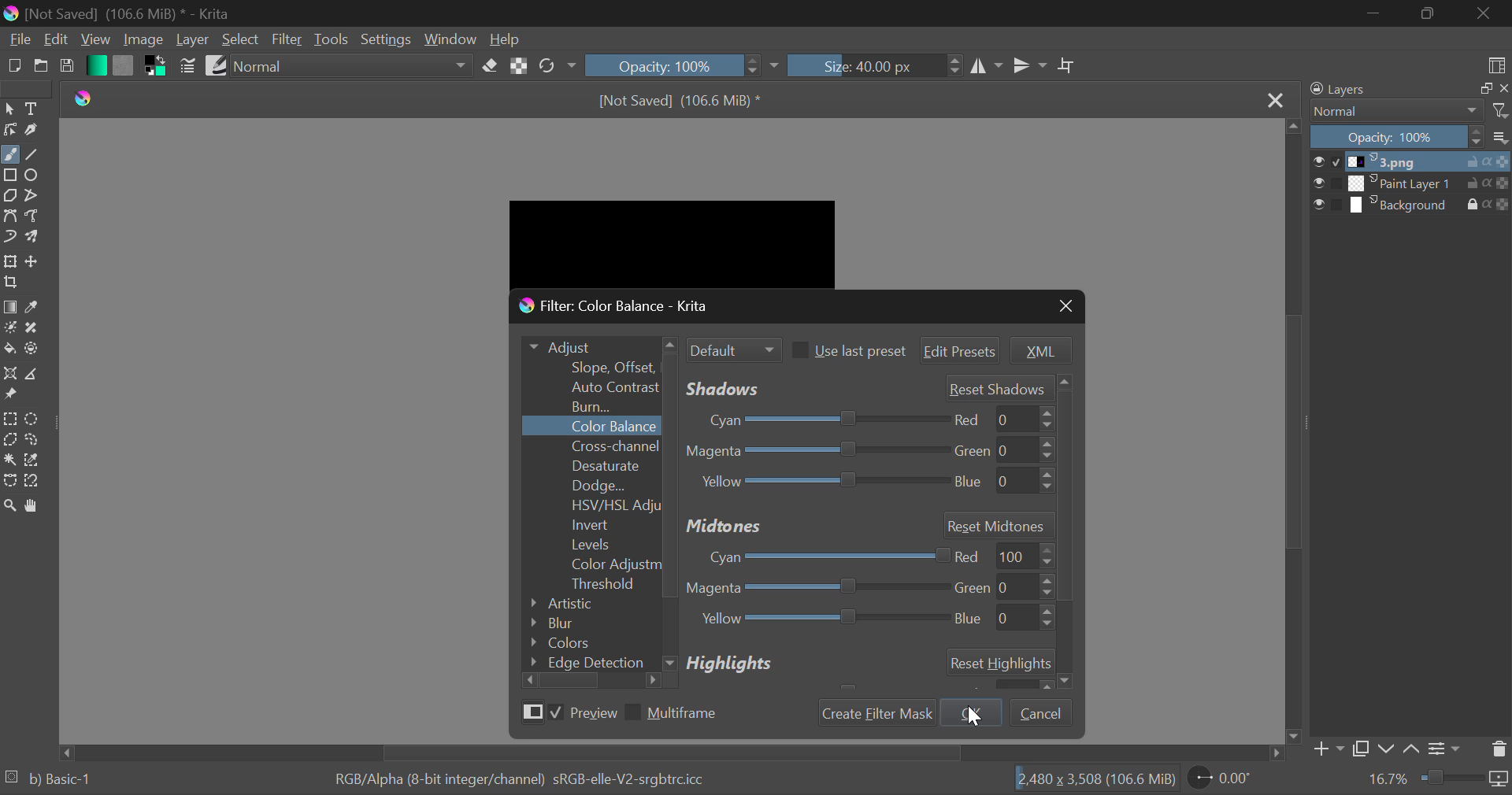 This screenshot has height=795, width=1512. What do you see at coordinates (1411, 183) in the screenshot?
I see `Paint Layer 1` at bounding box center [1411, 183].